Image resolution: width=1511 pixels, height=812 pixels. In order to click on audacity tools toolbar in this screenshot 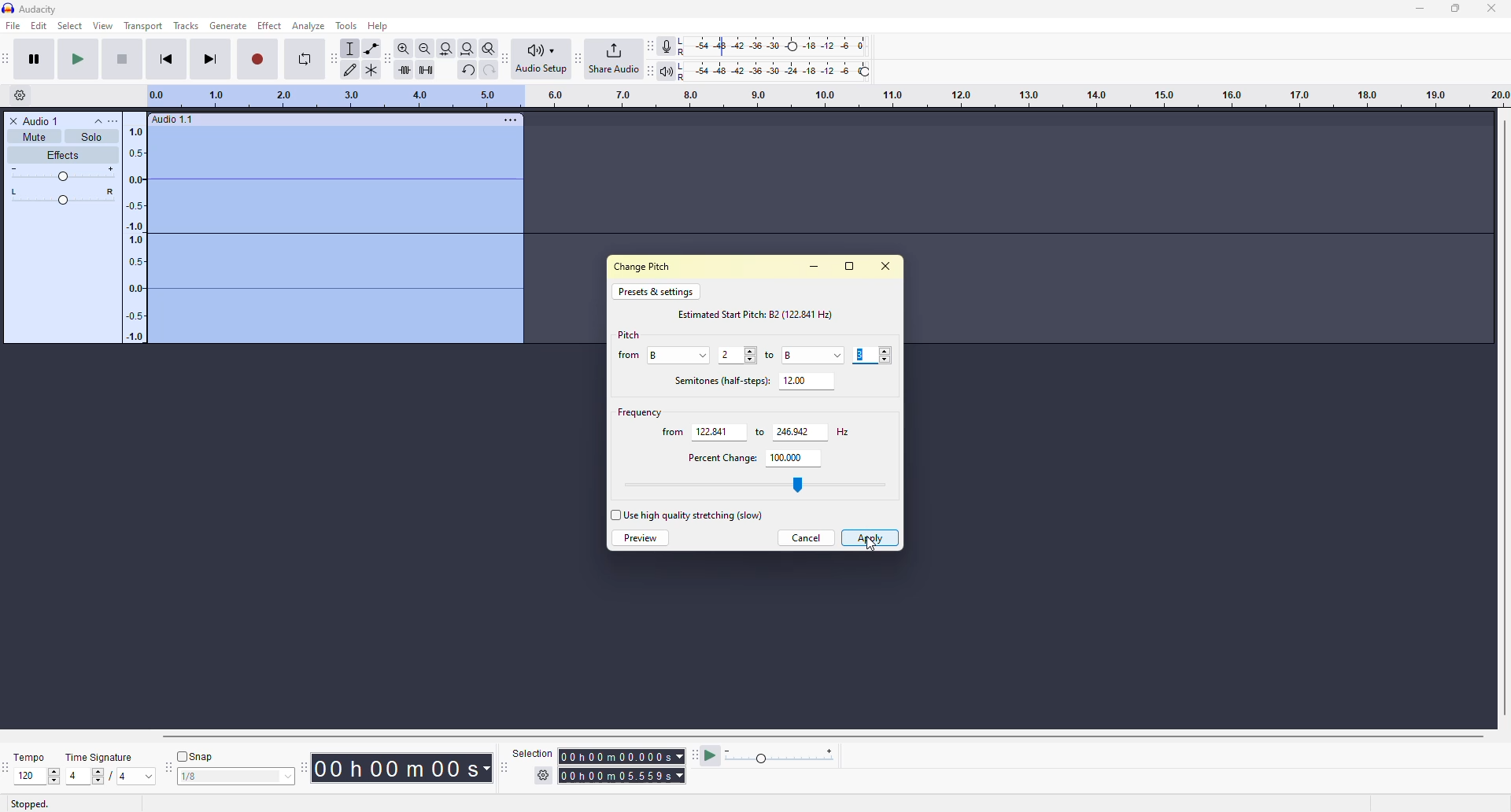, I will do `click(334, 57)`.